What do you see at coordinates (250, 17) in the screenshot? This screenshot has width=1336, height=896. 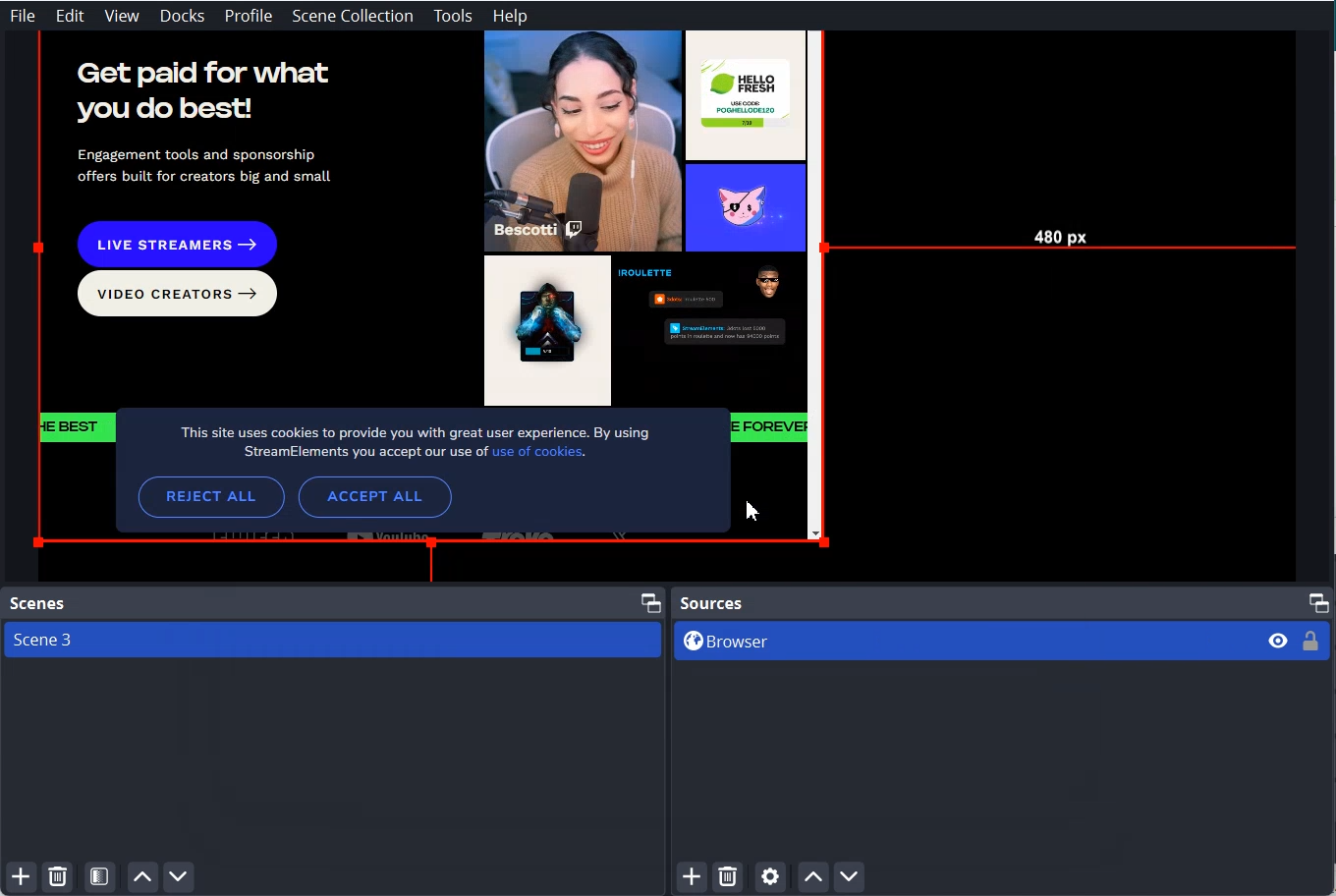 I see `Profile` at bounding box center [250, 17].